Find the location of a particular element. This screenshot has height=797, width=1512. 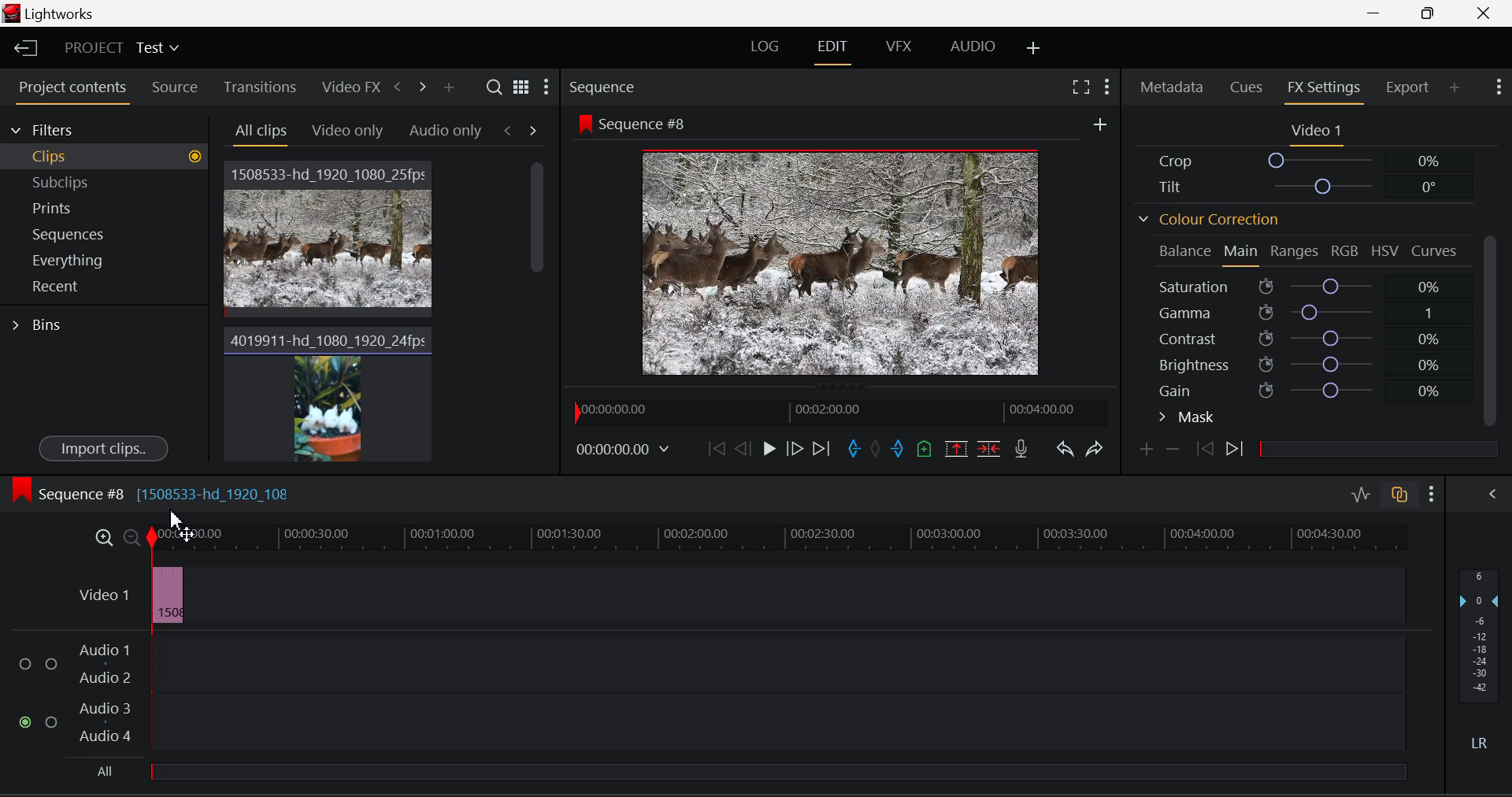

Redo is located at coordinates (1095, 451).